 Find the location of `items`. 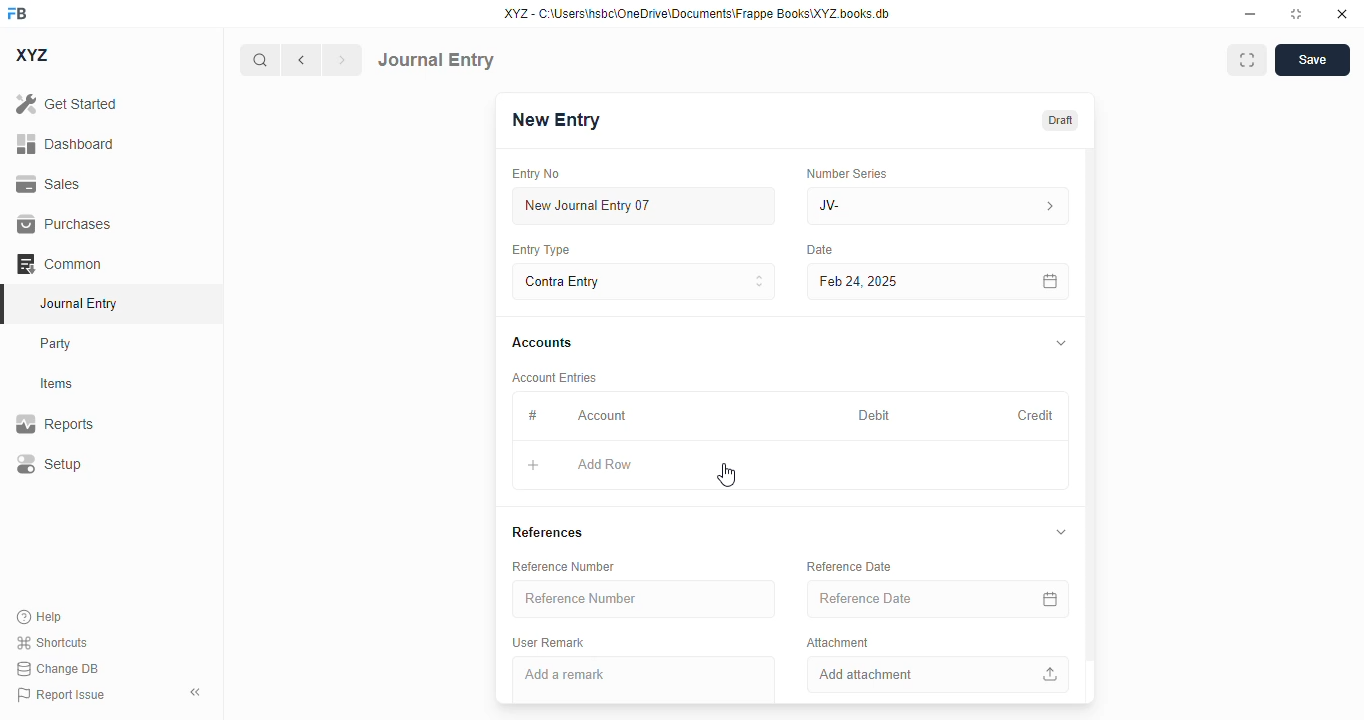

items is located at coordinates (57, 384).